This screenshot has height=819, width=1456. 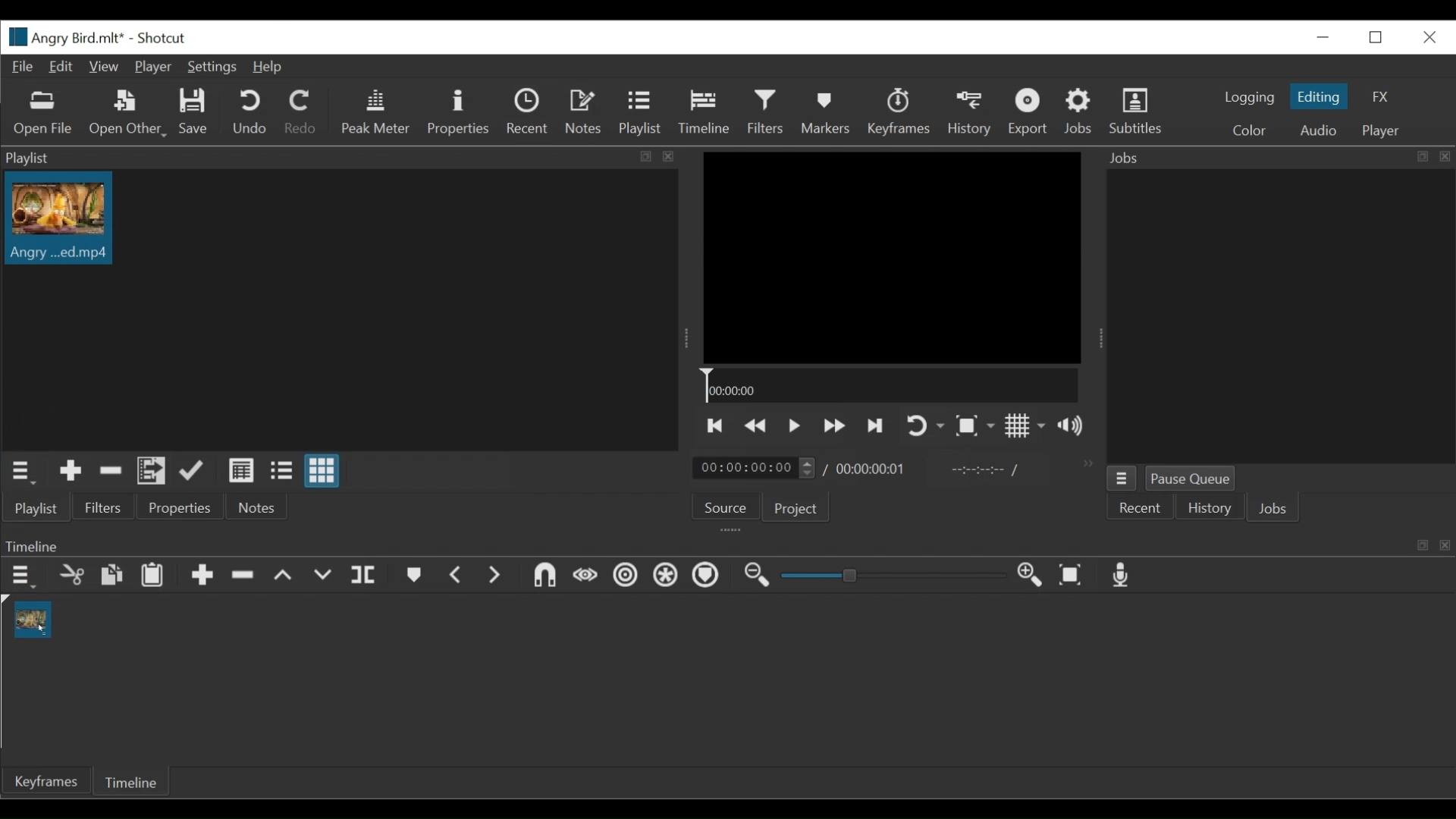 I want to click on File, so click(x=21, y=66).